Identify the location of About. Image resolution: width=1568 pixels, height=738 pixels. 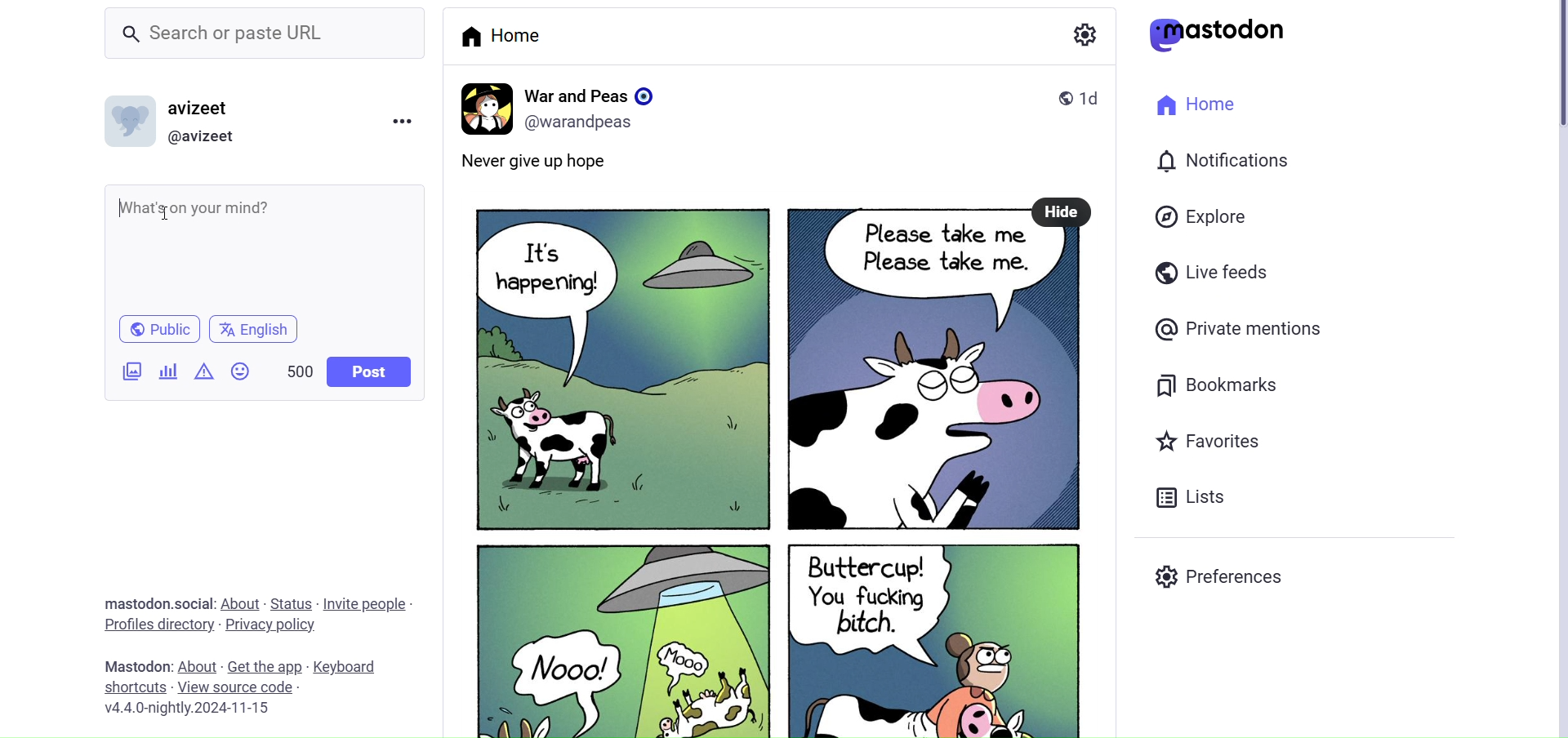
(243, 602).